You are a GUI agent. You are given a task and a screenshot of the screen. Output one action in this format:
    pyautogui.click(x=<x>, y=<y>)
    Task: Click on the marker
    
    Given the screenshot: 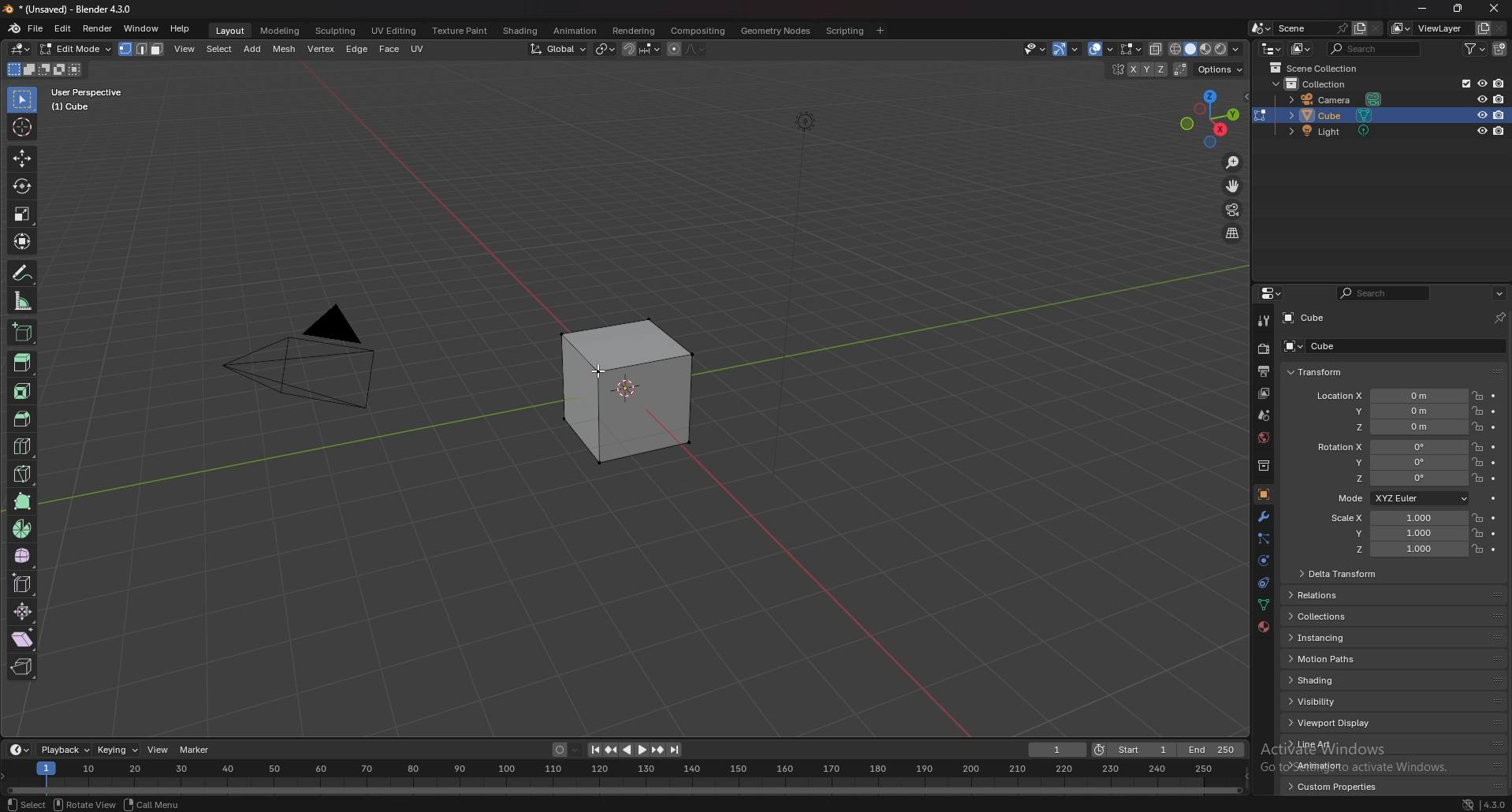 What is the action you would take?
    pyautogui.click(x=194, y=750)
    